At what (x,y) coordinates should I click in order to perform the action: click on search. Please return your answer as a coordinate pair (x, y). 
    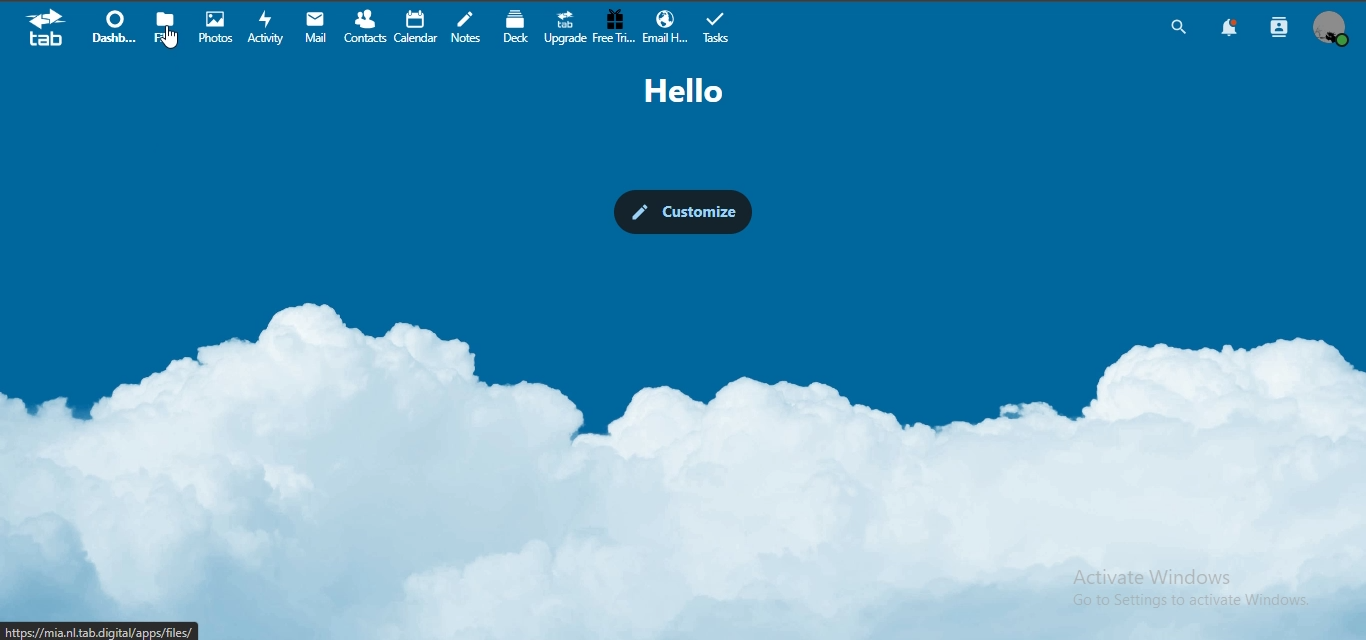
    Looking at the image, I should click on (1176, 27).